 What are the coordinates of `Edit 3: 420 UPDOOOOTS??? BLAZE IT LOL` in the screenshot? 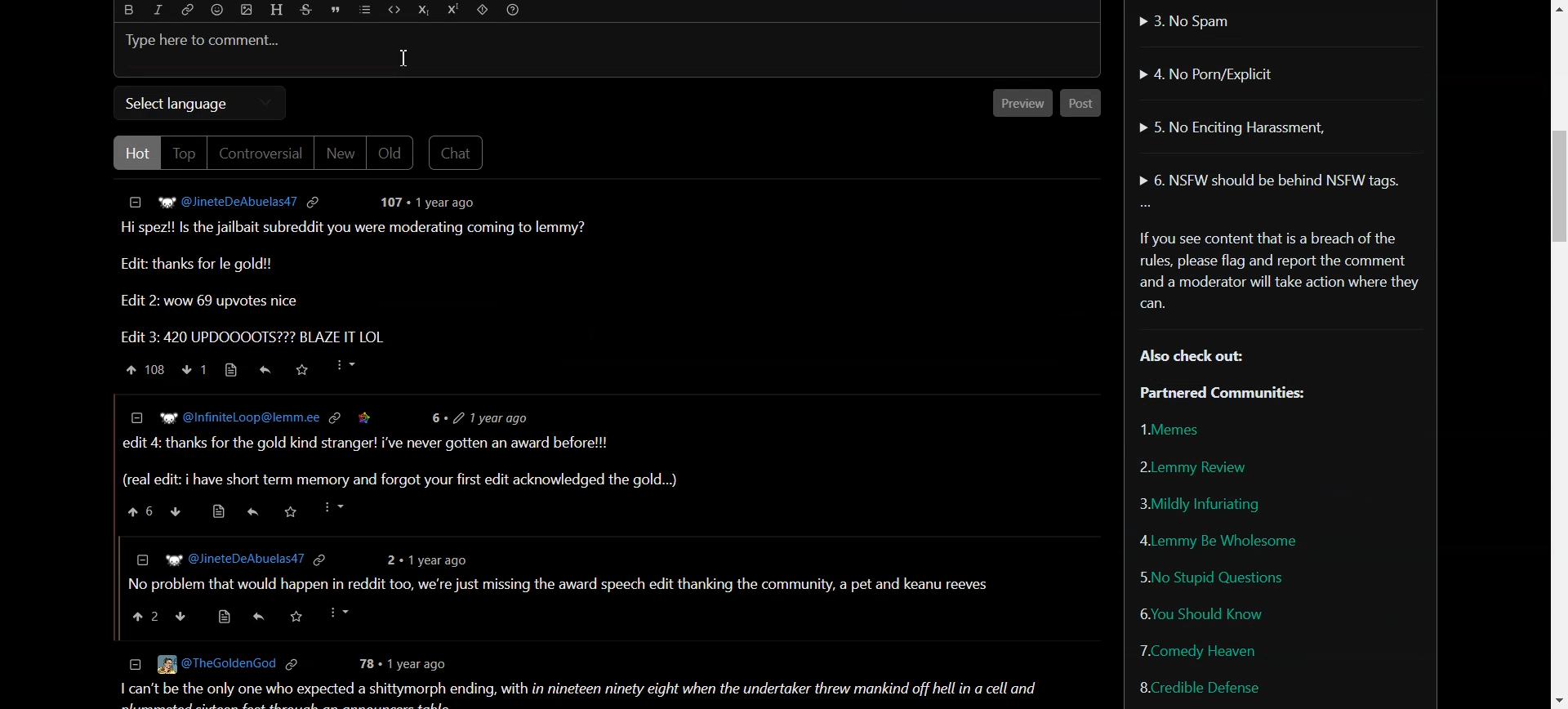 It's located at (243, 338).